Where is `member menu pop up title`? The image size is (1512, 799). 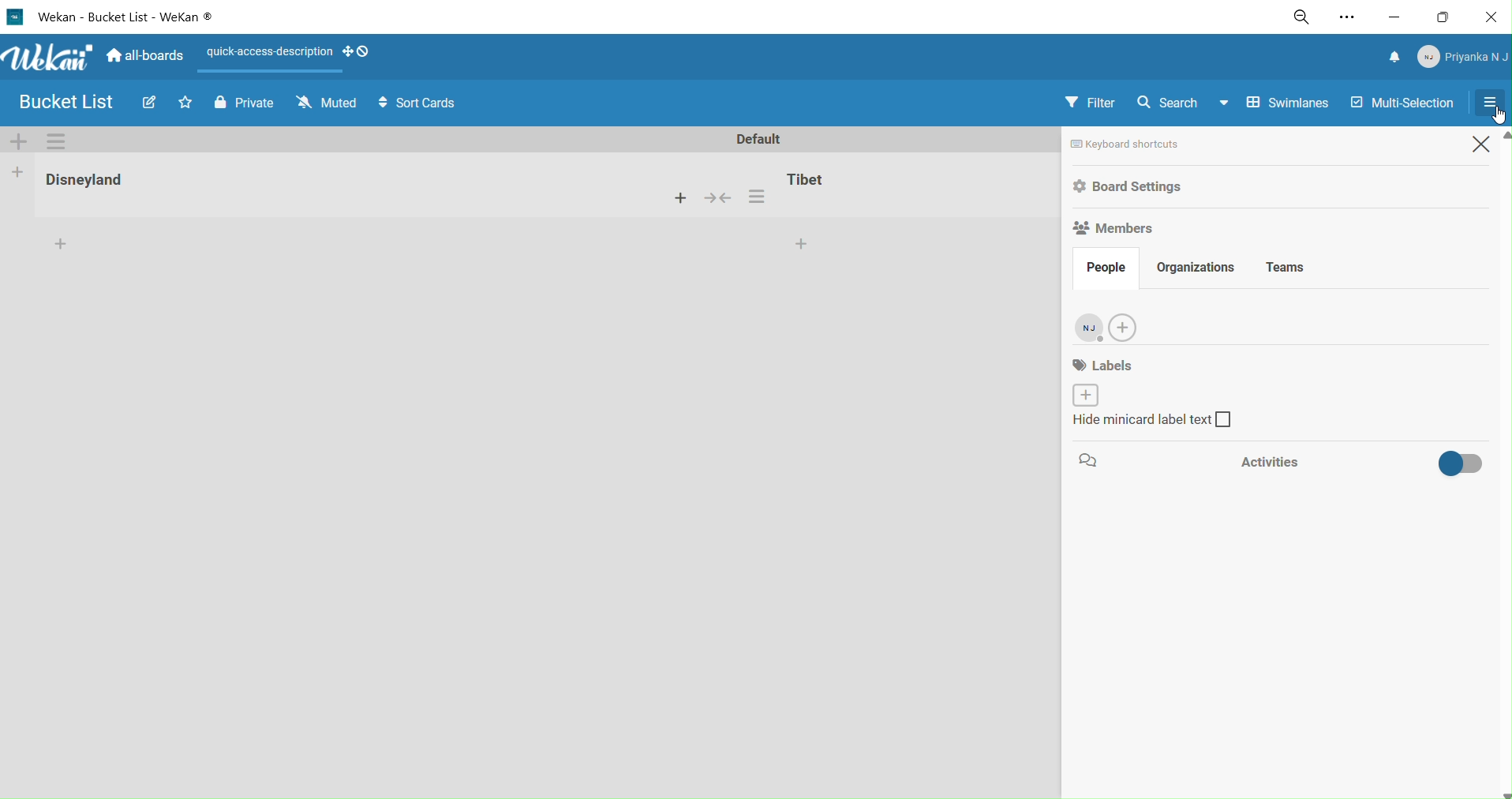 member menu pop up title is located at coordinates (1463, 57).